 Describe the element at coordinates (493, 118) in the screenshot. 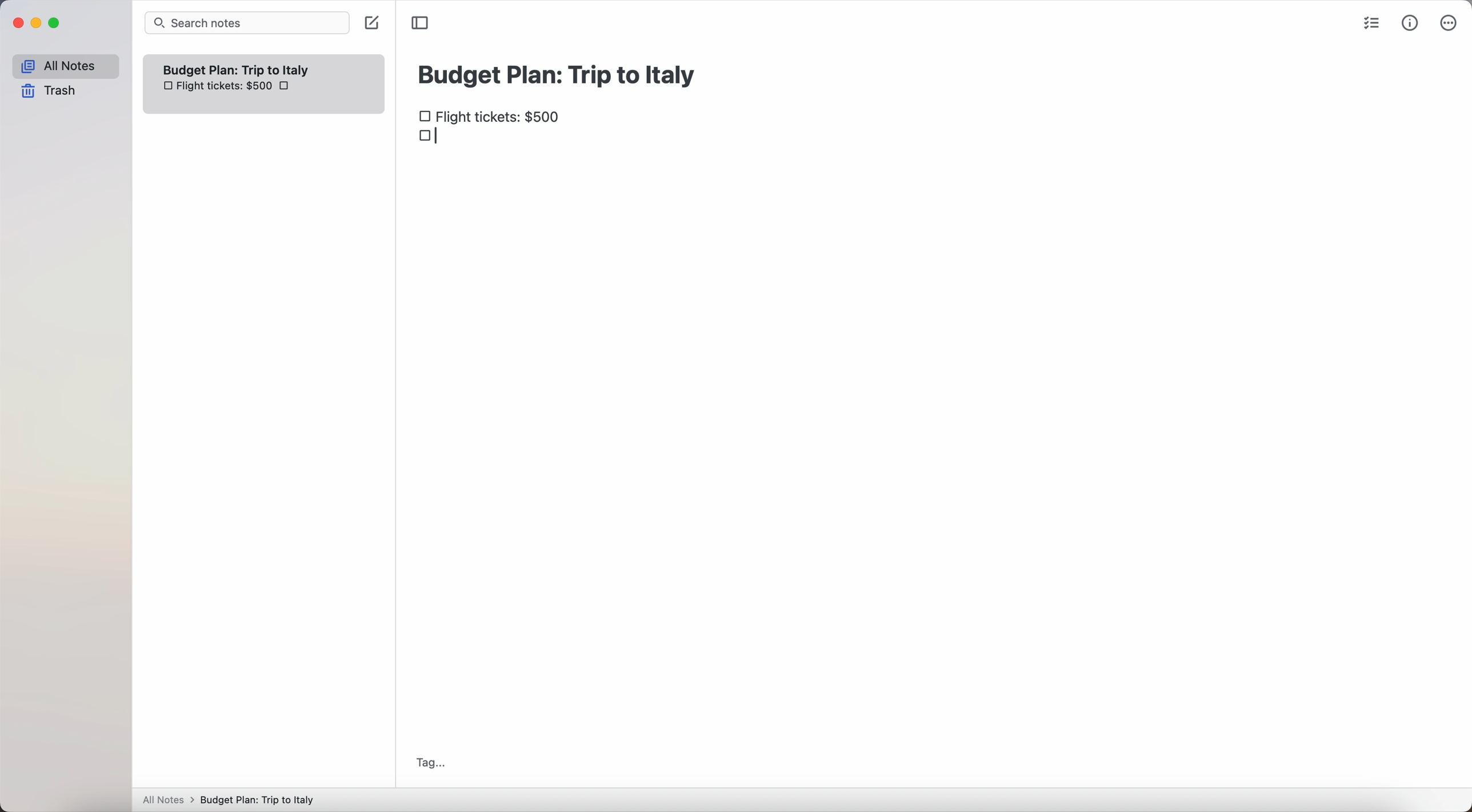

I see `flight tickets: $500` at that location.